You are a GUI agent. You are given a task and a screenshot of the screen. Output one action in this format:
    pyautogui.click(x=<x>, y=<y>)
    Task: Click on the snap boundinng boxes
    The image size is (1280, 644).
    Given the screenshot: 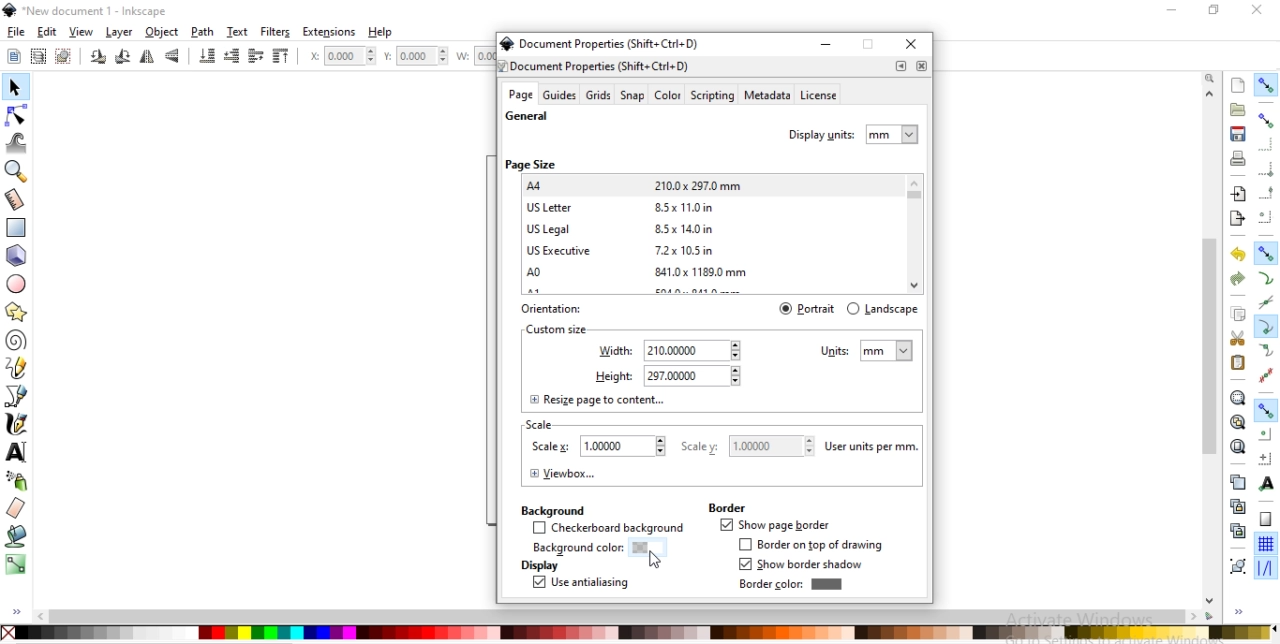 What is the action you would take?
    pyautogui.click(x=1265, y=121)
    